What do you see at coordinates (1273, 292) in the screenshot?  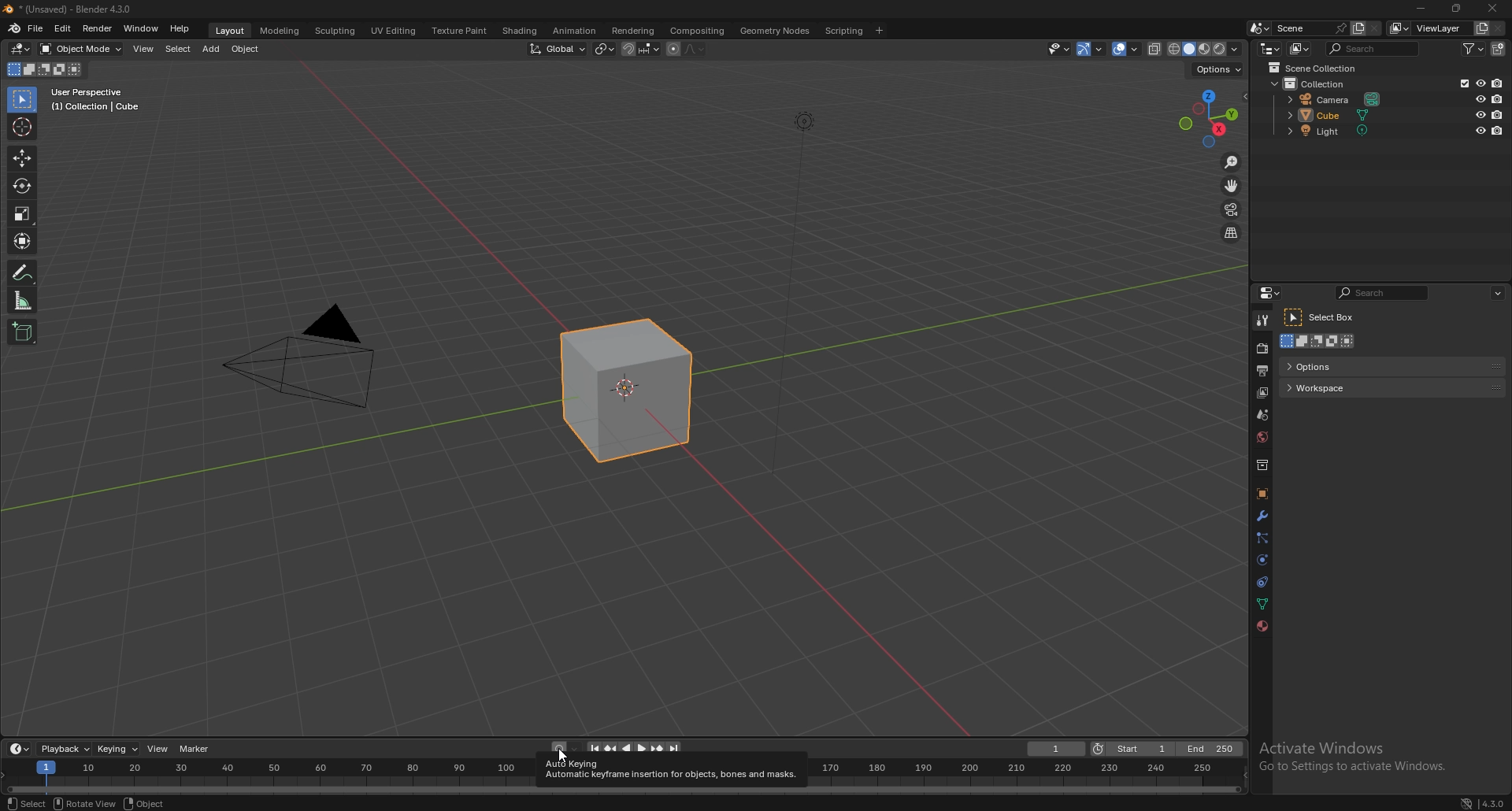 I see `editor type` at bounding box center [1273, 292].